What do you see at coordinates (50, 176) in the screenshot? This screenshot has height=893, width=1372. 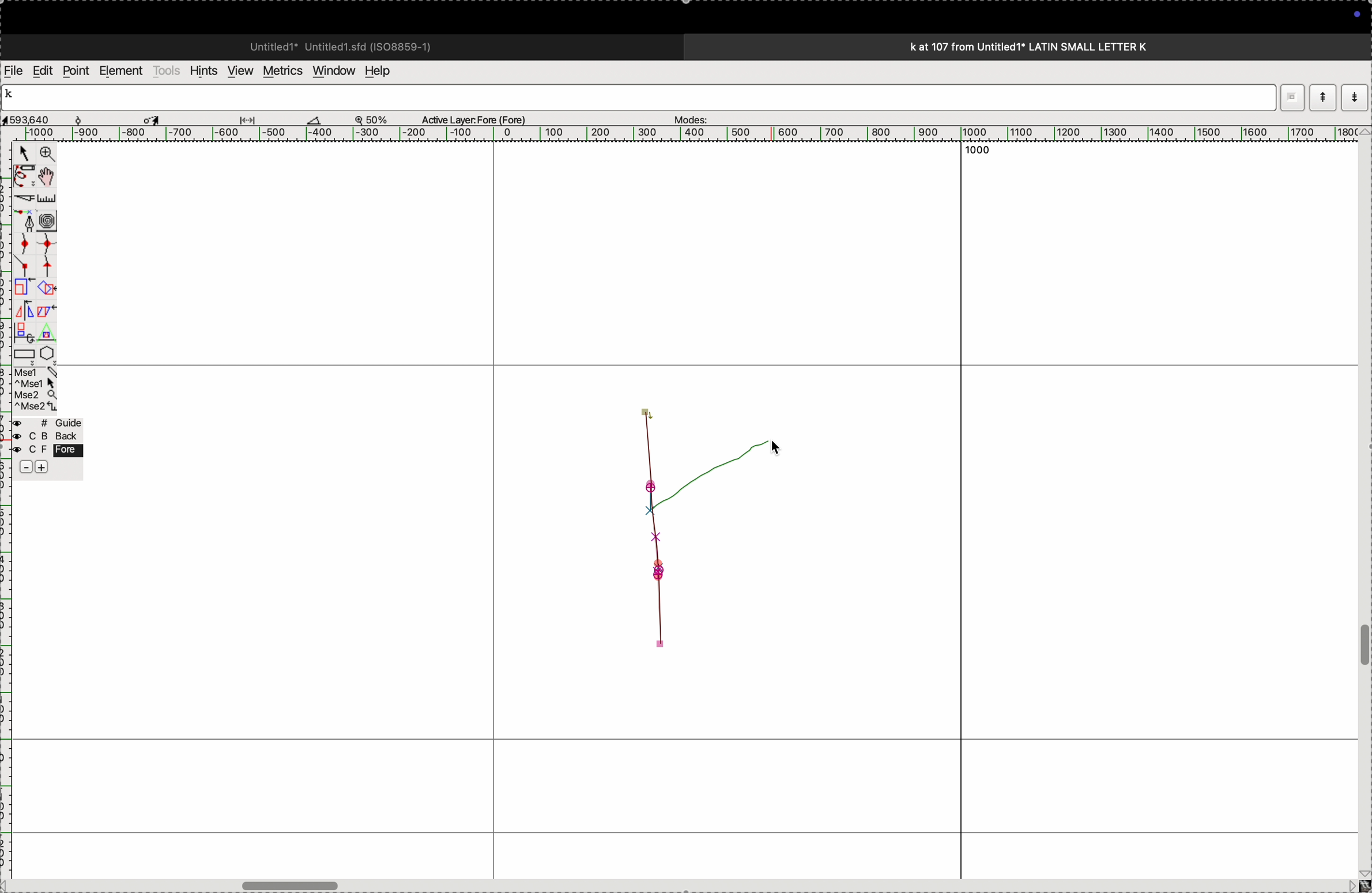 I see `toggle` at bounding box center [50, 176].